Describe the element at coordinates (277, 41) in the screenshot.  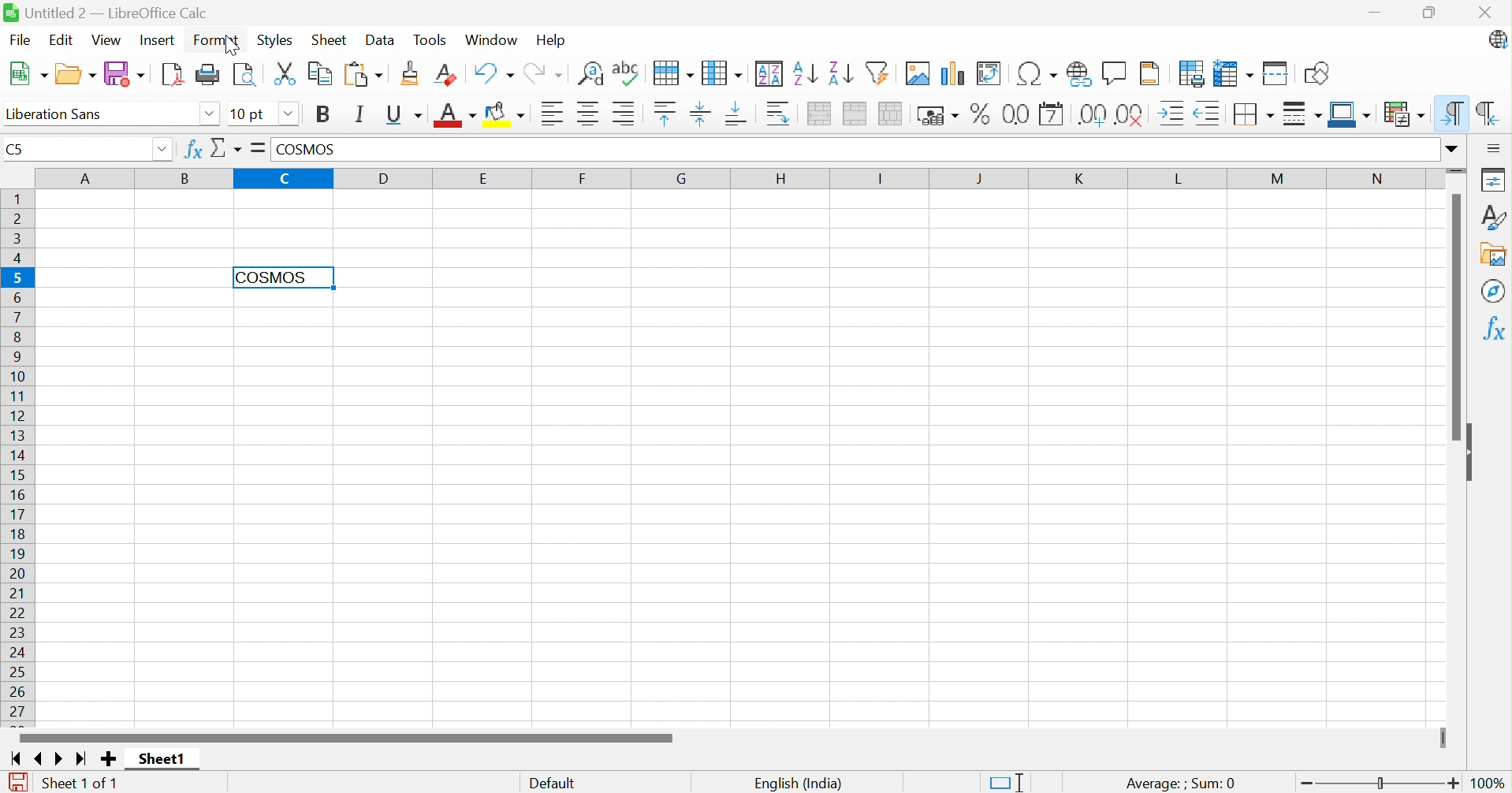
I see `Styles` at that location.